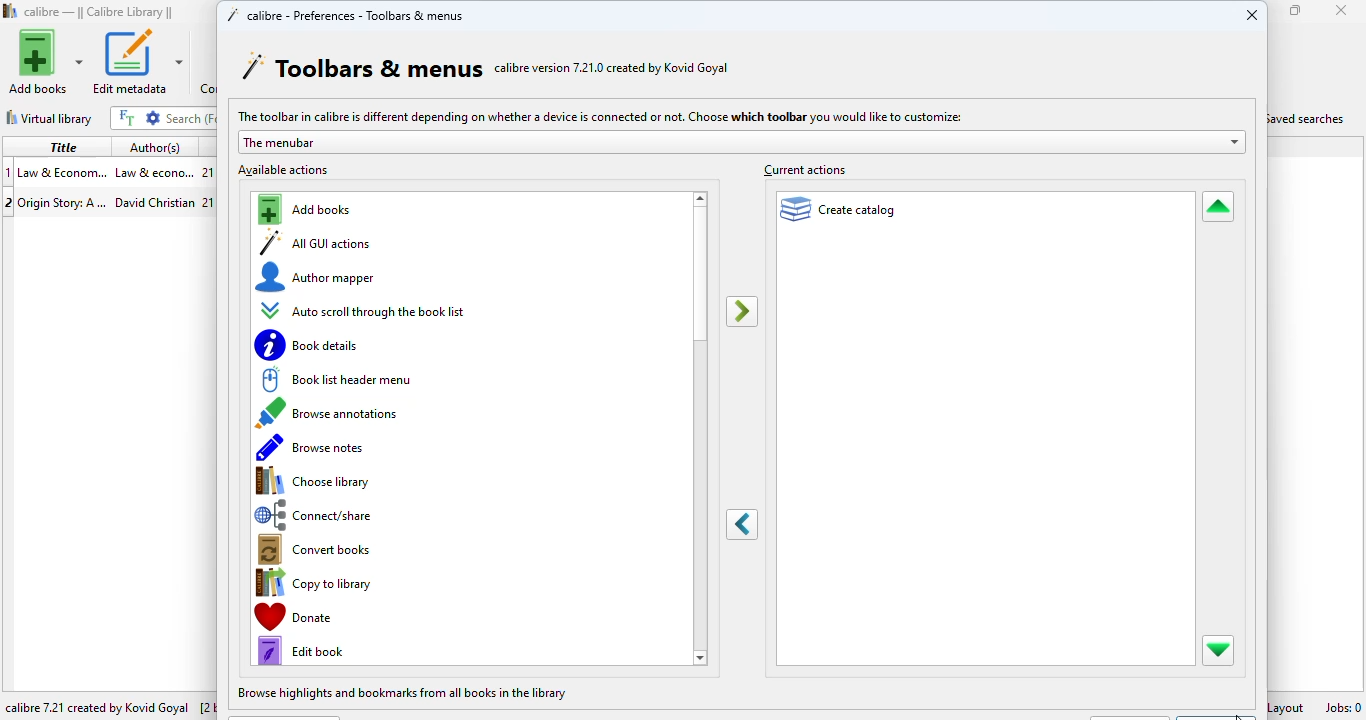 Image resolution: width=1366 pixels, height=720 pixels. Describe the element at coordinates (311, 448) in the screenshot. I see `browse notes` at that location.